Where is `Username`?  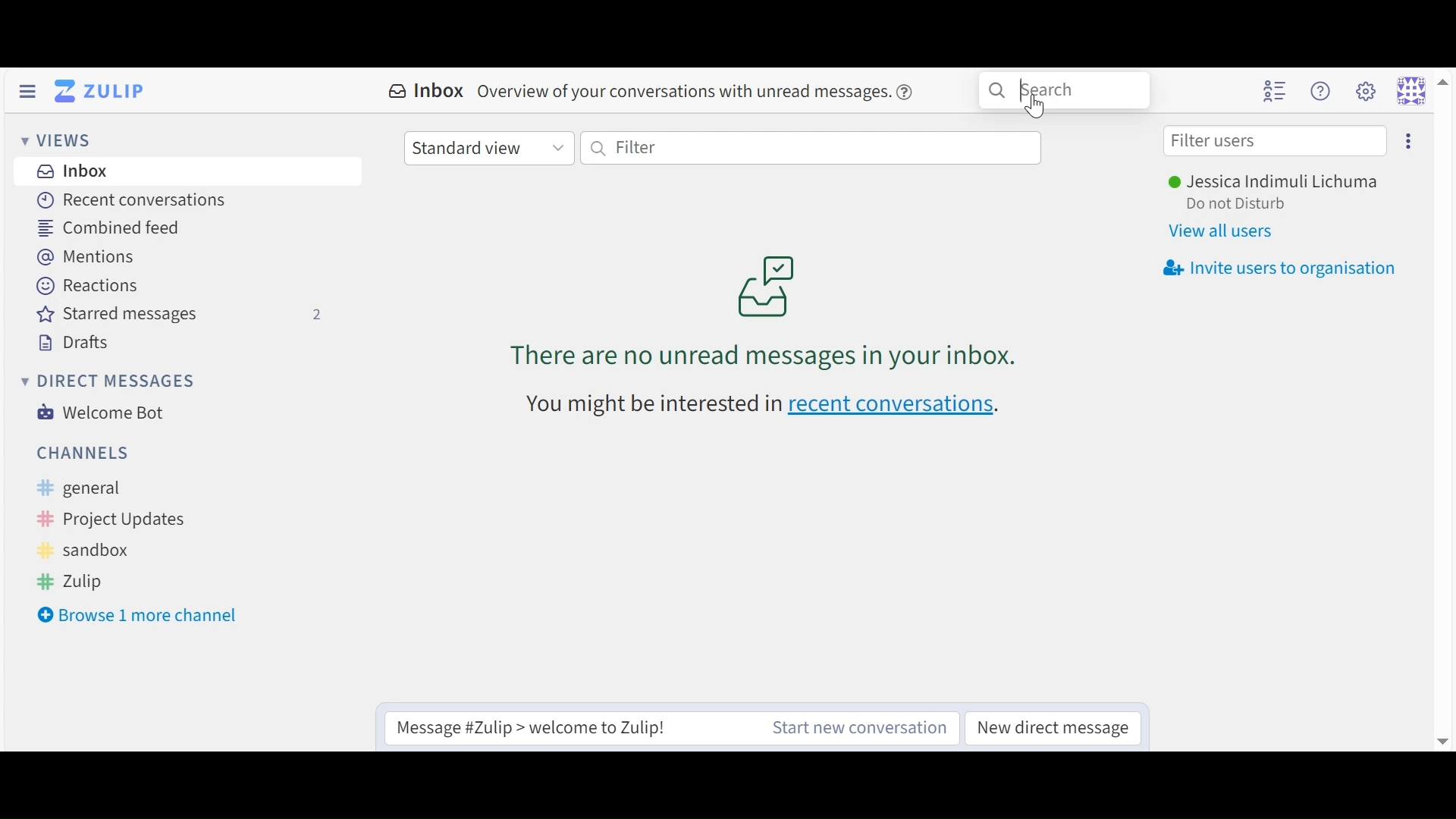
Username is located at coordinates (1282, 181).